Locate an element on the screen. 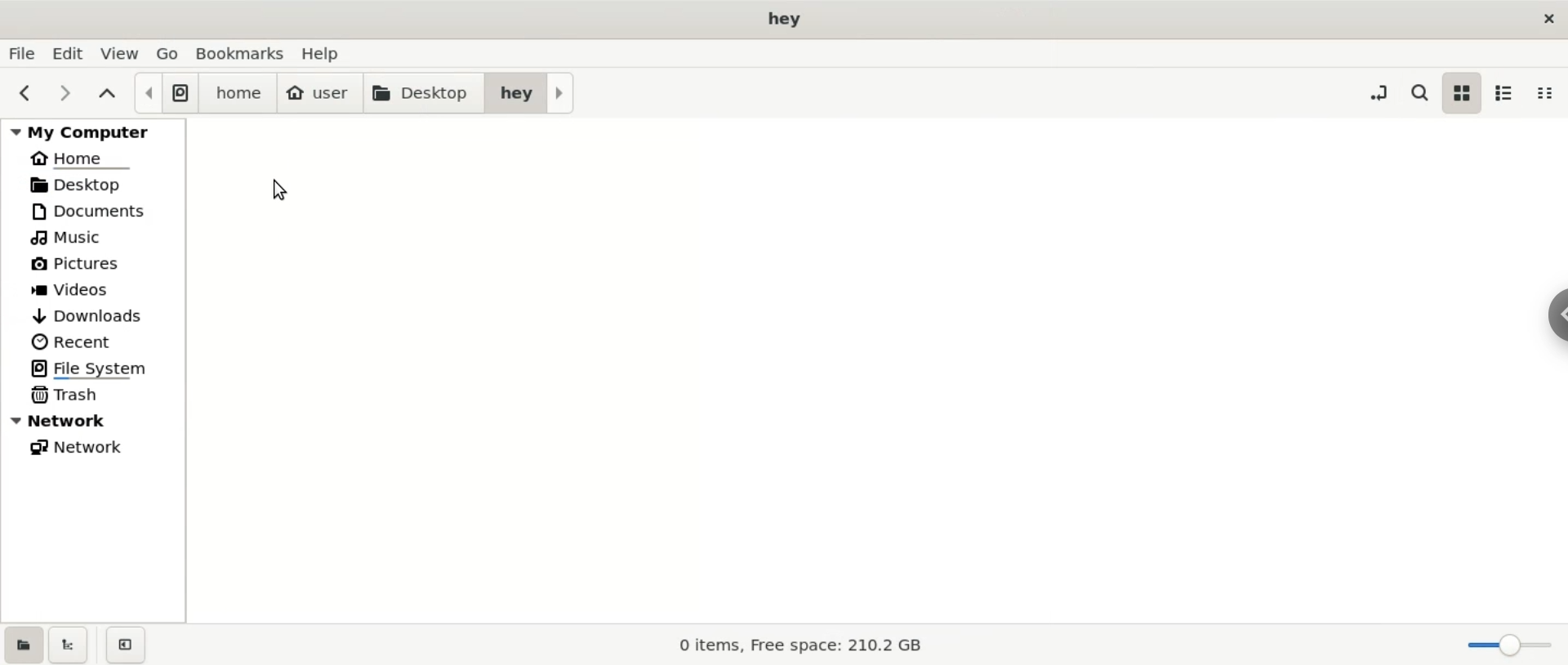 This screenshot has width=1568, height=665. list view is located at coordinates (1509, 93).